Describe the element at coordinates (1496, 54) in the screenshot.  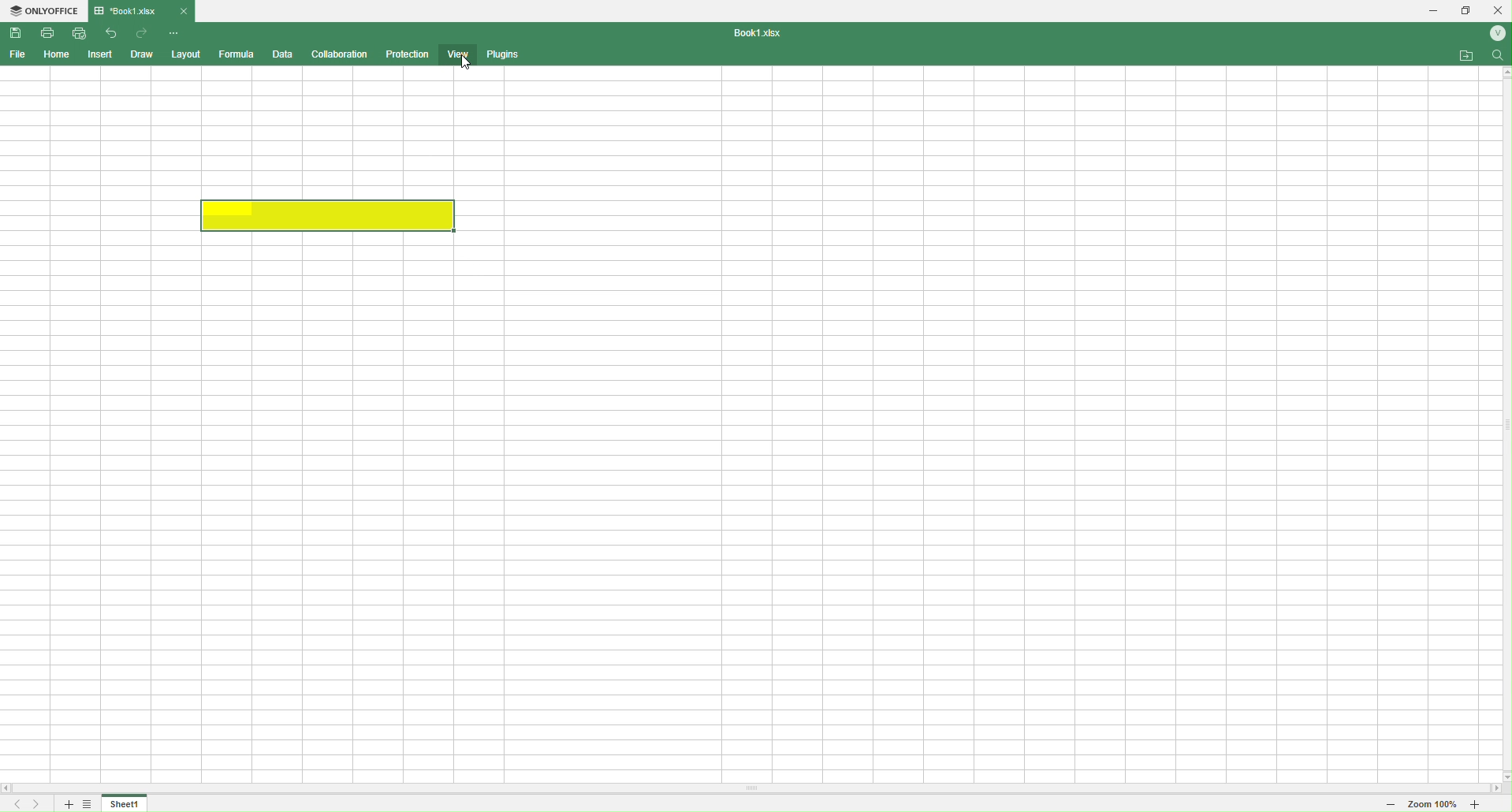
I see `Find` at that location.